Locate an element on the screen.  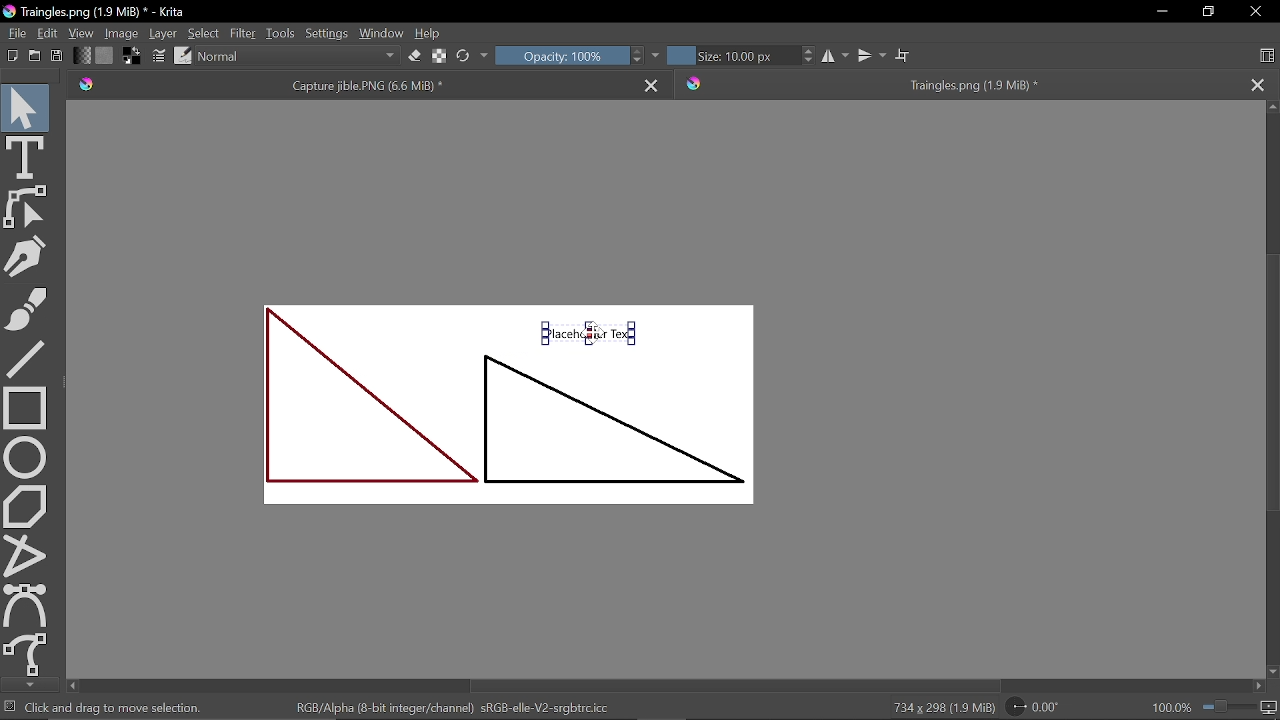
Polyline tool is located at coordinates (22, 555).